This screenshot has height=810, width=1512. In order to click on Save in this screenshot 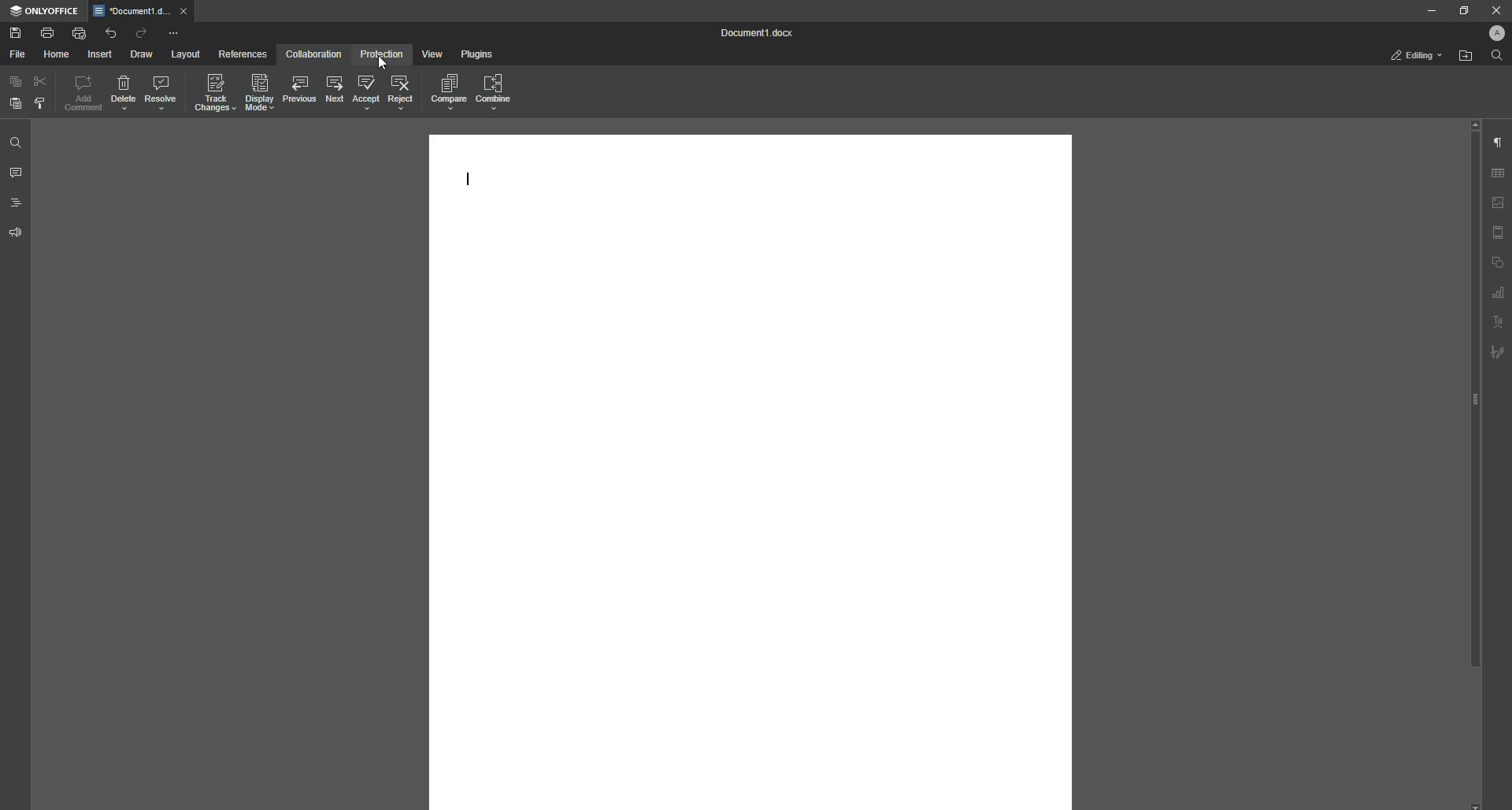, I will do `click(13, 32)`.